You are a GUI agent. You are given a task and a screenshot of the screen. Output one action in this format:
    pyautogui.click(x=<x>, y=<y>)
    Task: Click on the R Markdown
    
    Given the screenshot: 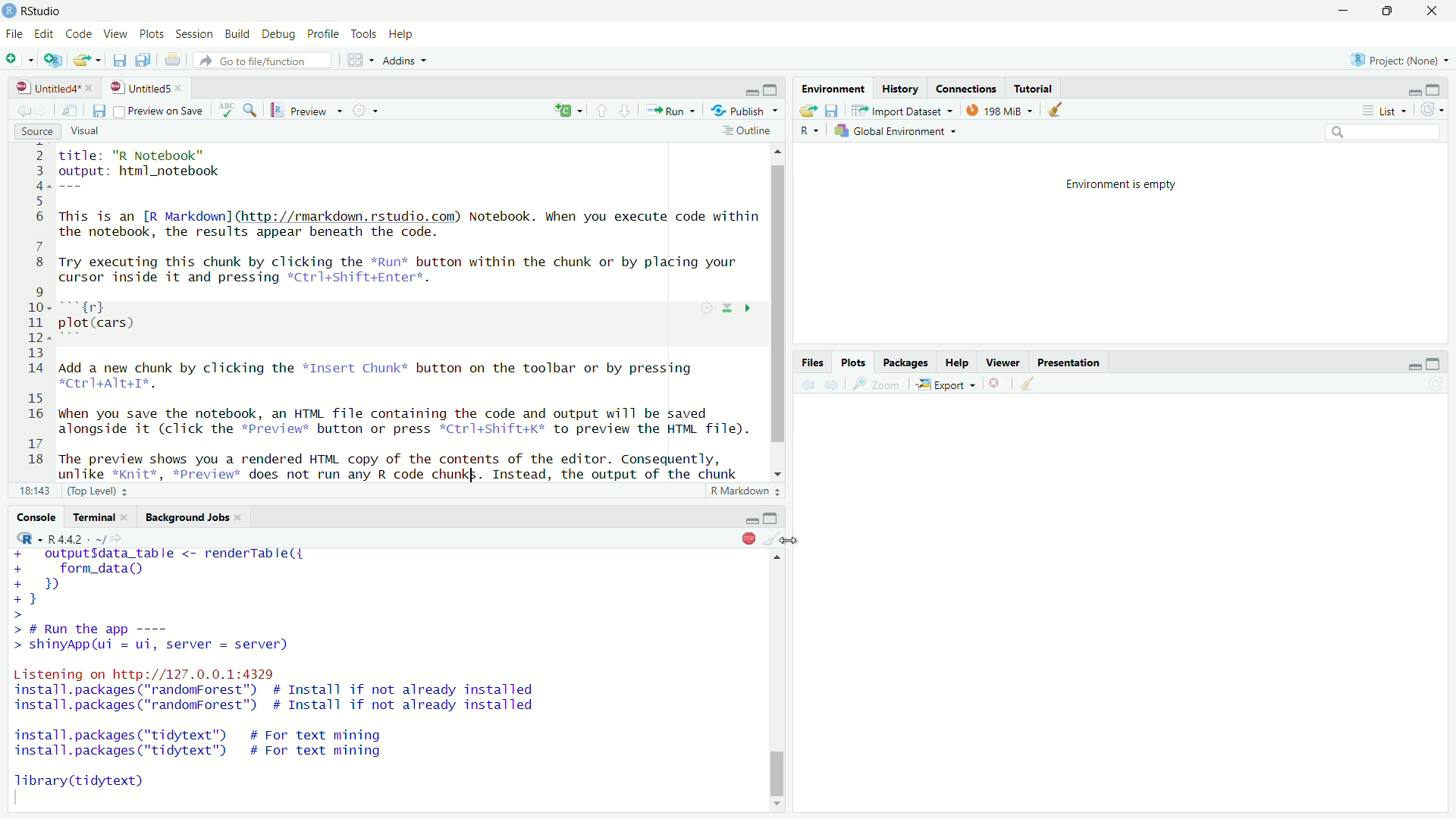 What is the action you would take?
    pyautogui.click(x=746, y=491)
    